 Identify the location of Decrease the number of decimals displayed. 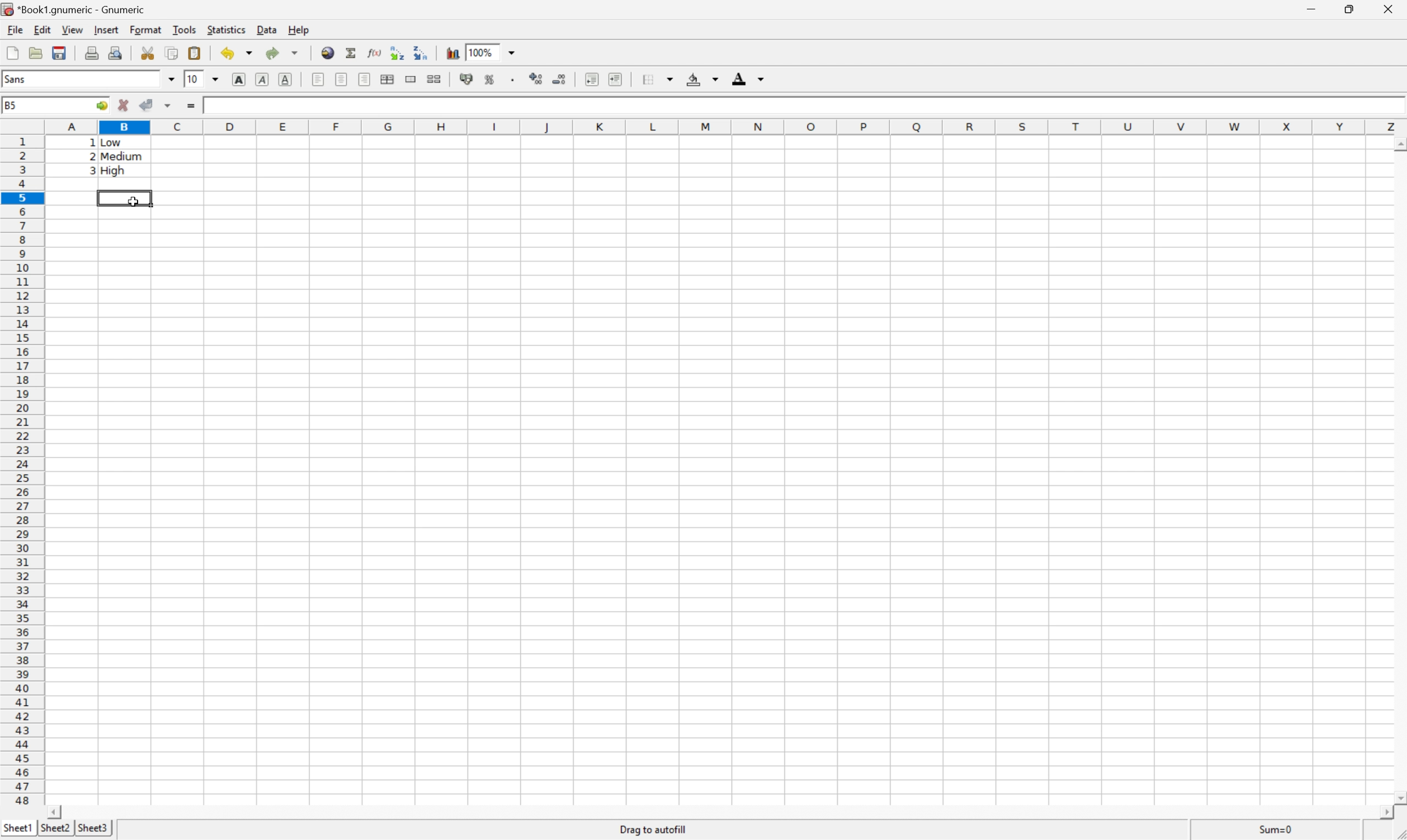
(559, 79).